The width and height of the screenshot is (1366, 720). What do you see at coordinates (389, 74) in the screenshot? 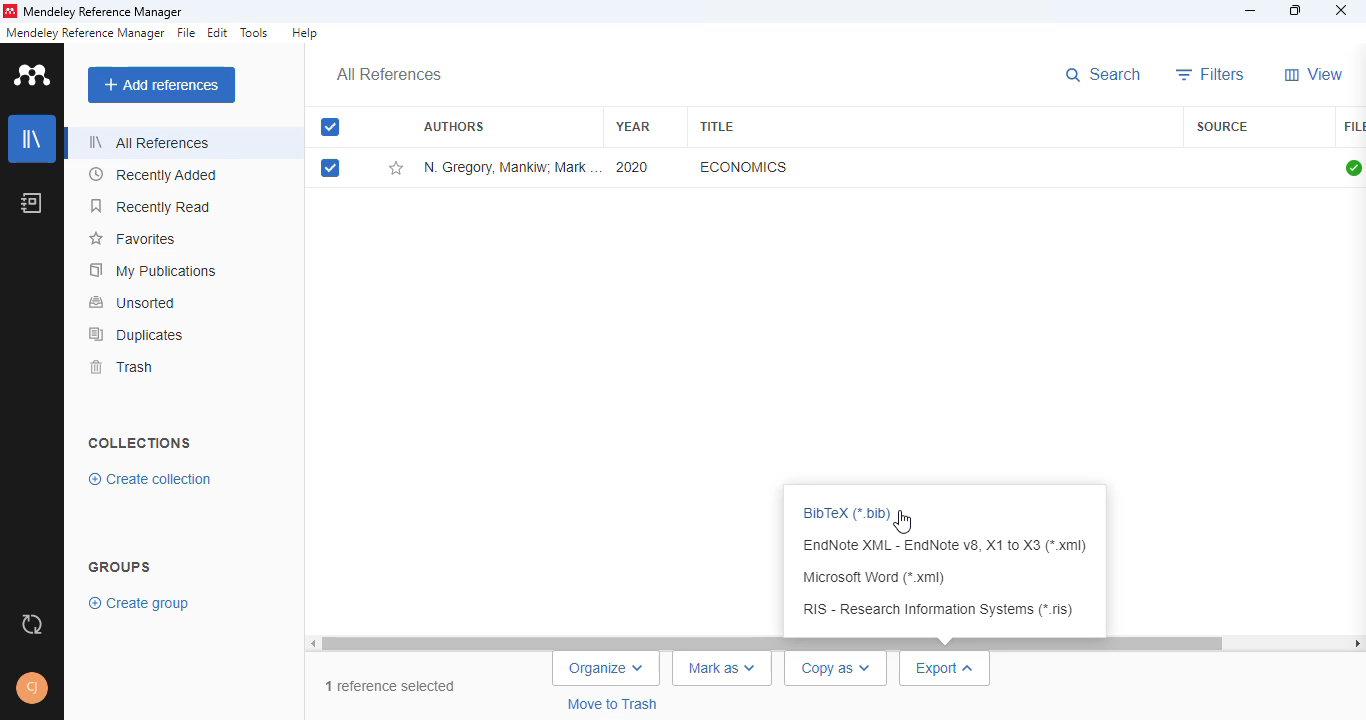
I see `all references` at bounding box center [389, 74].